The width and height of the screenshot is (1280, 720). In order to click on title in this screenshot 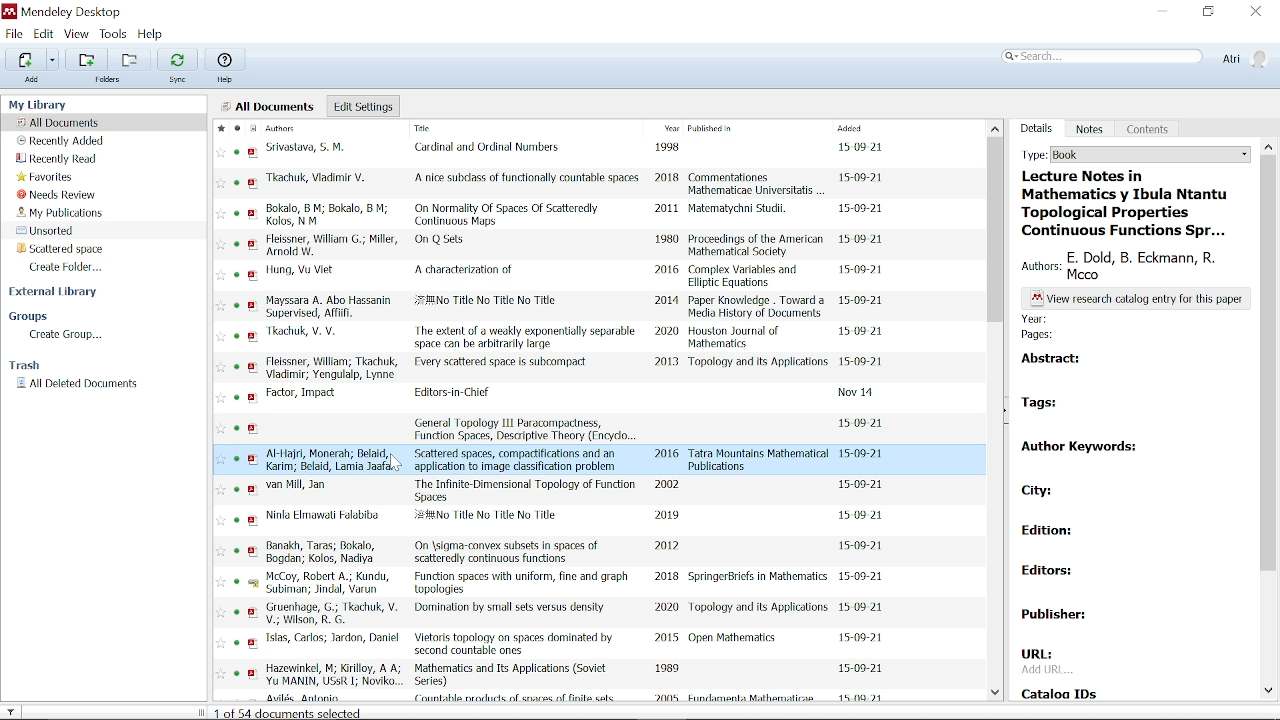, I will do `click(528, 178)`.